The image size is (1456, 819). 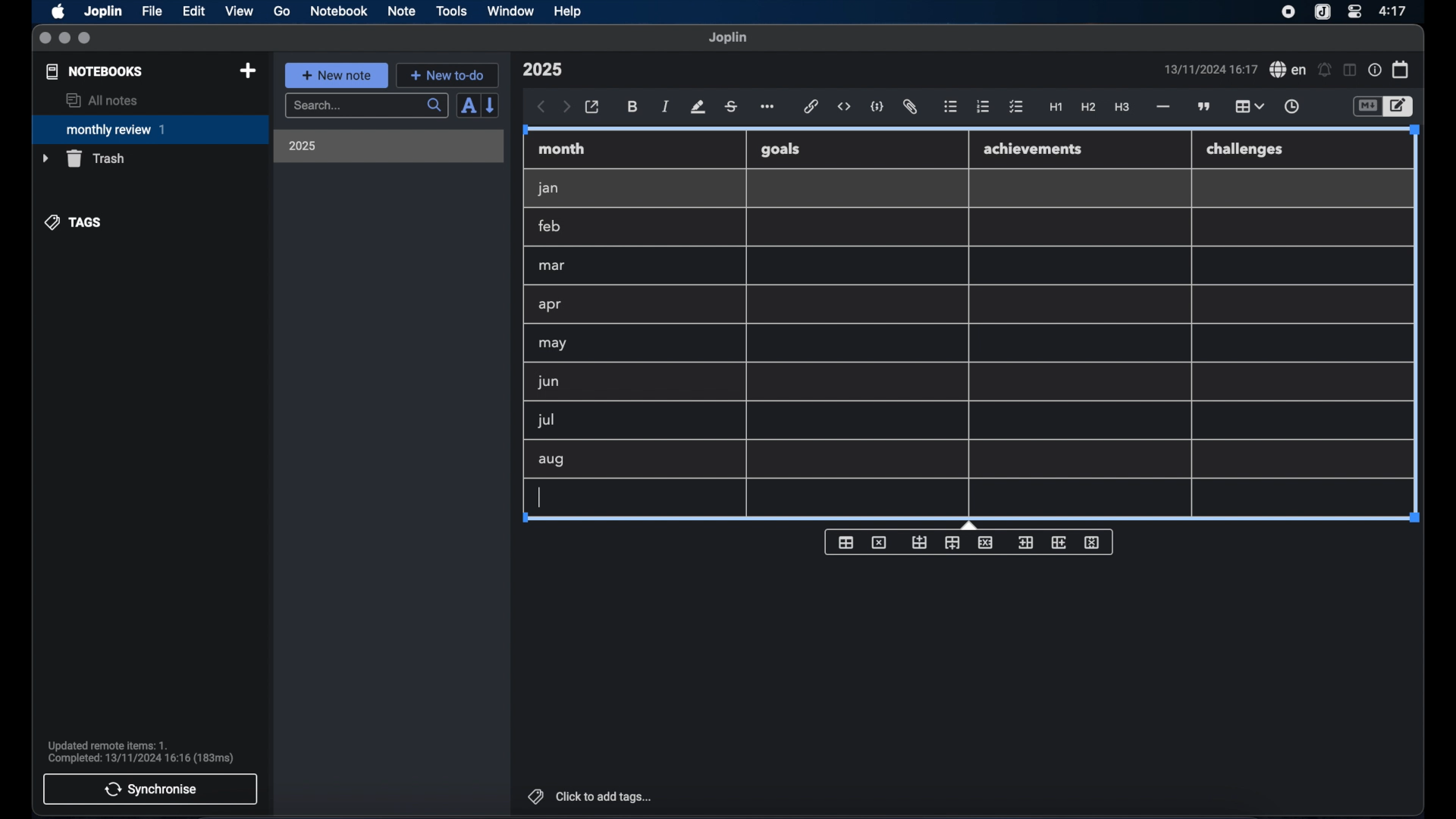 I want to click on mar, so click(x=553, y=266).